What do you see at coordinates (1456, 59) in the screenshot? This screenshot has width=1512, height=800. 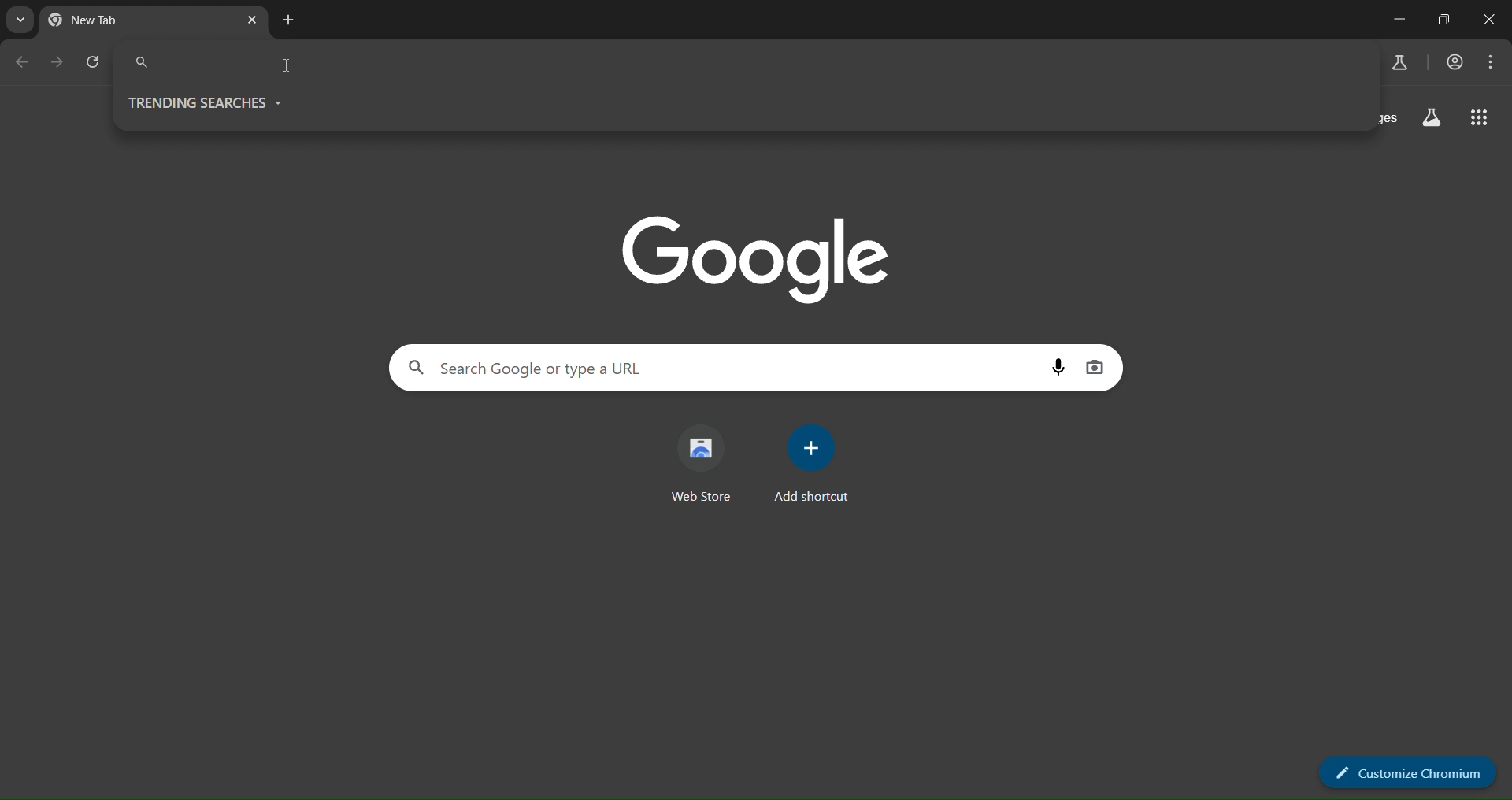 I see `account` at bounding box center [1456, 59].